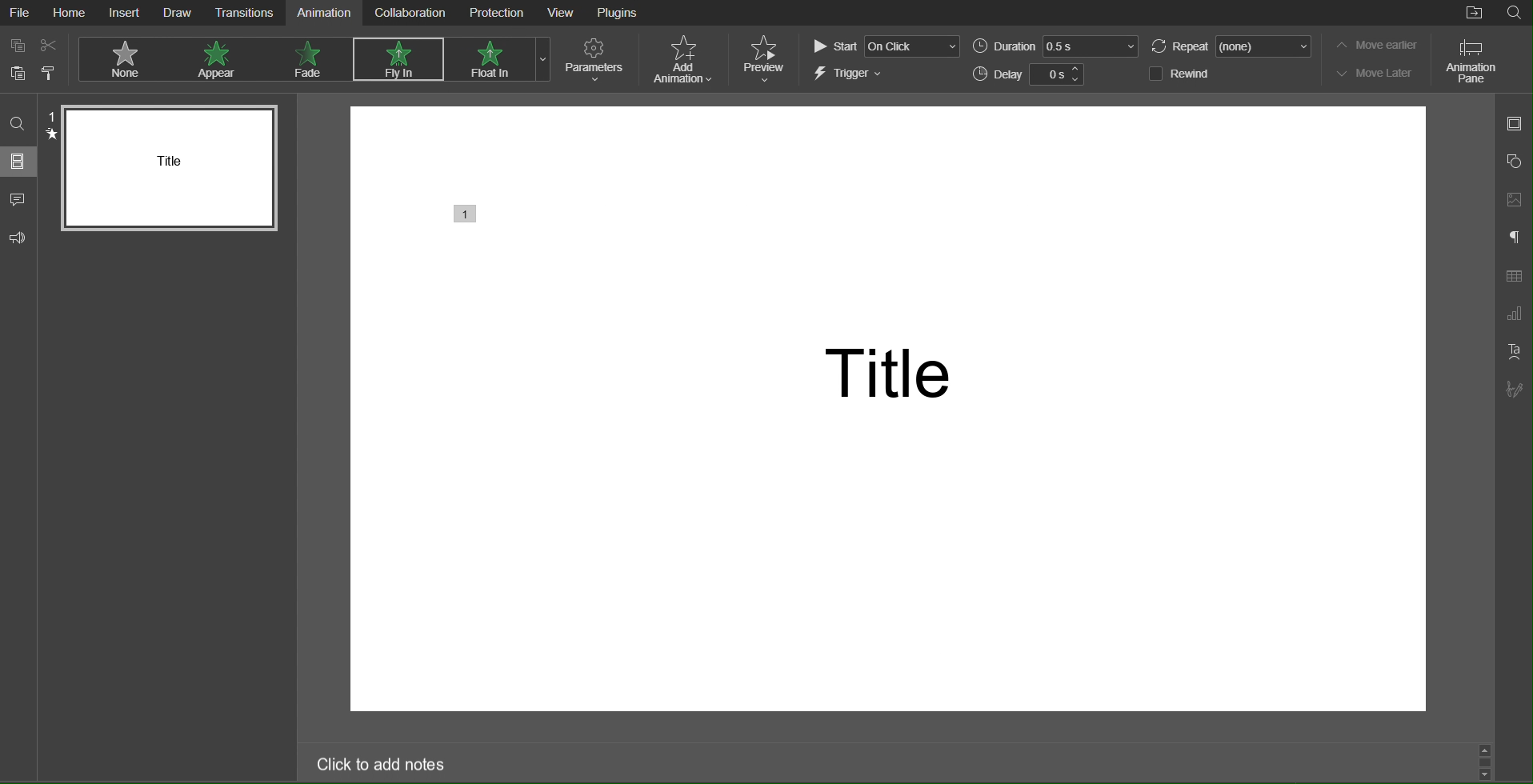 The height and width of the screenshot is (784, 1533). Describe the element at coordinates (884, 46) in the screenshot. I see `Start` at that location.